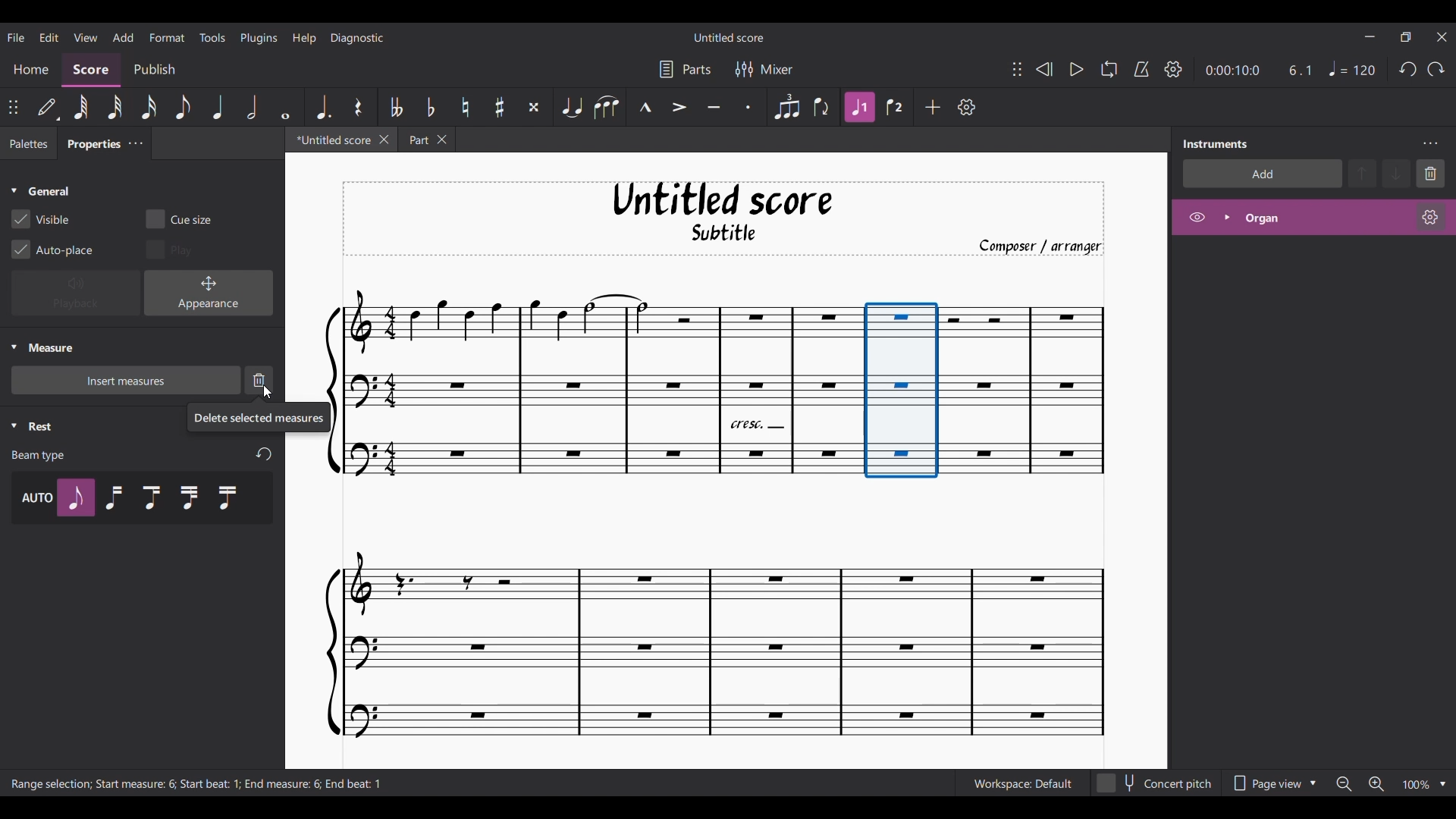 This screenshot has height=819, width=1456. Describe the element at coordinates (1077, 70) in the screenshot. I see `Play` at that location.